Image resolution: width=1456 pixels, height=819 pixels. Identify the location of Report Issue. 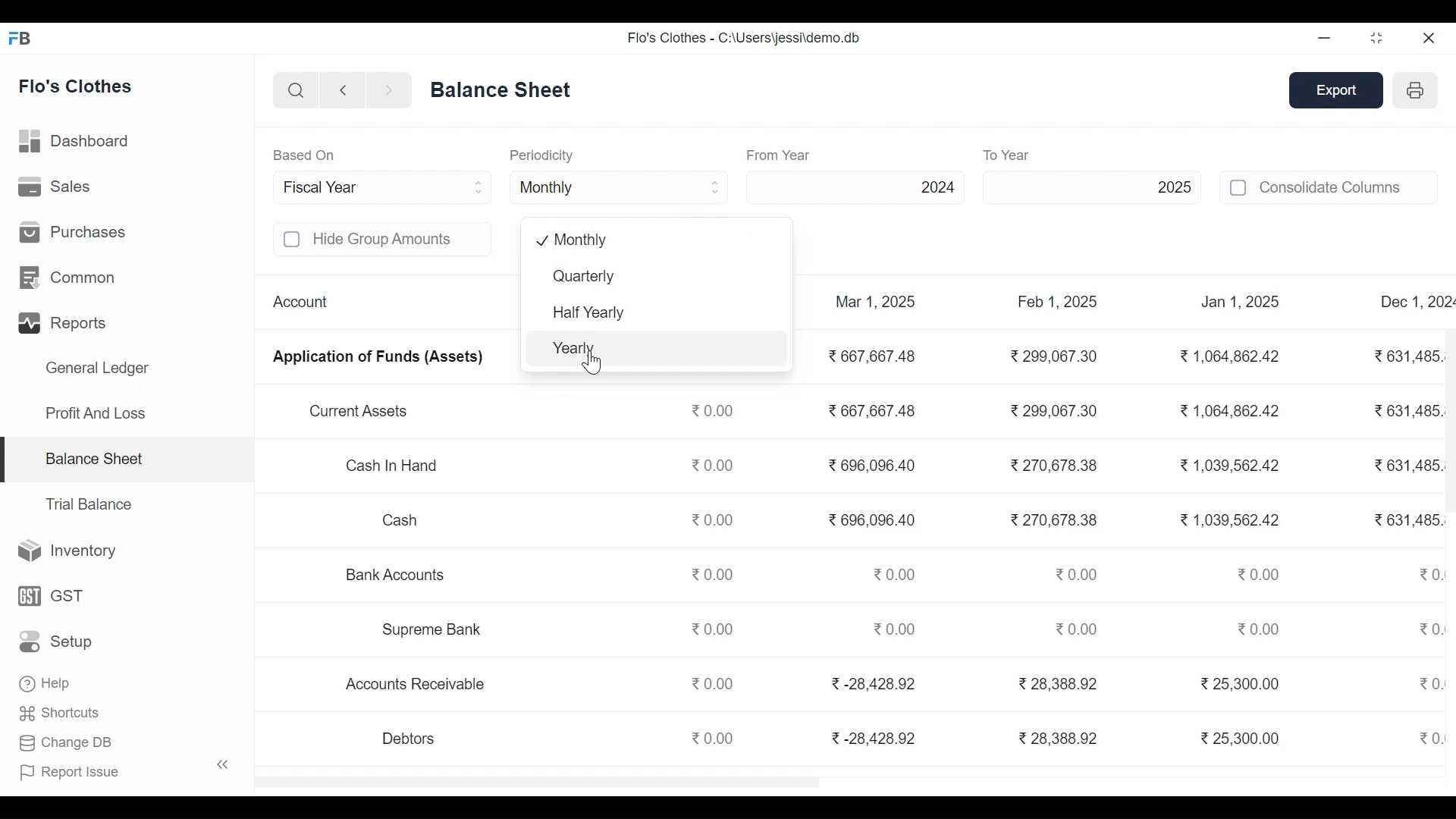
(71, 771).